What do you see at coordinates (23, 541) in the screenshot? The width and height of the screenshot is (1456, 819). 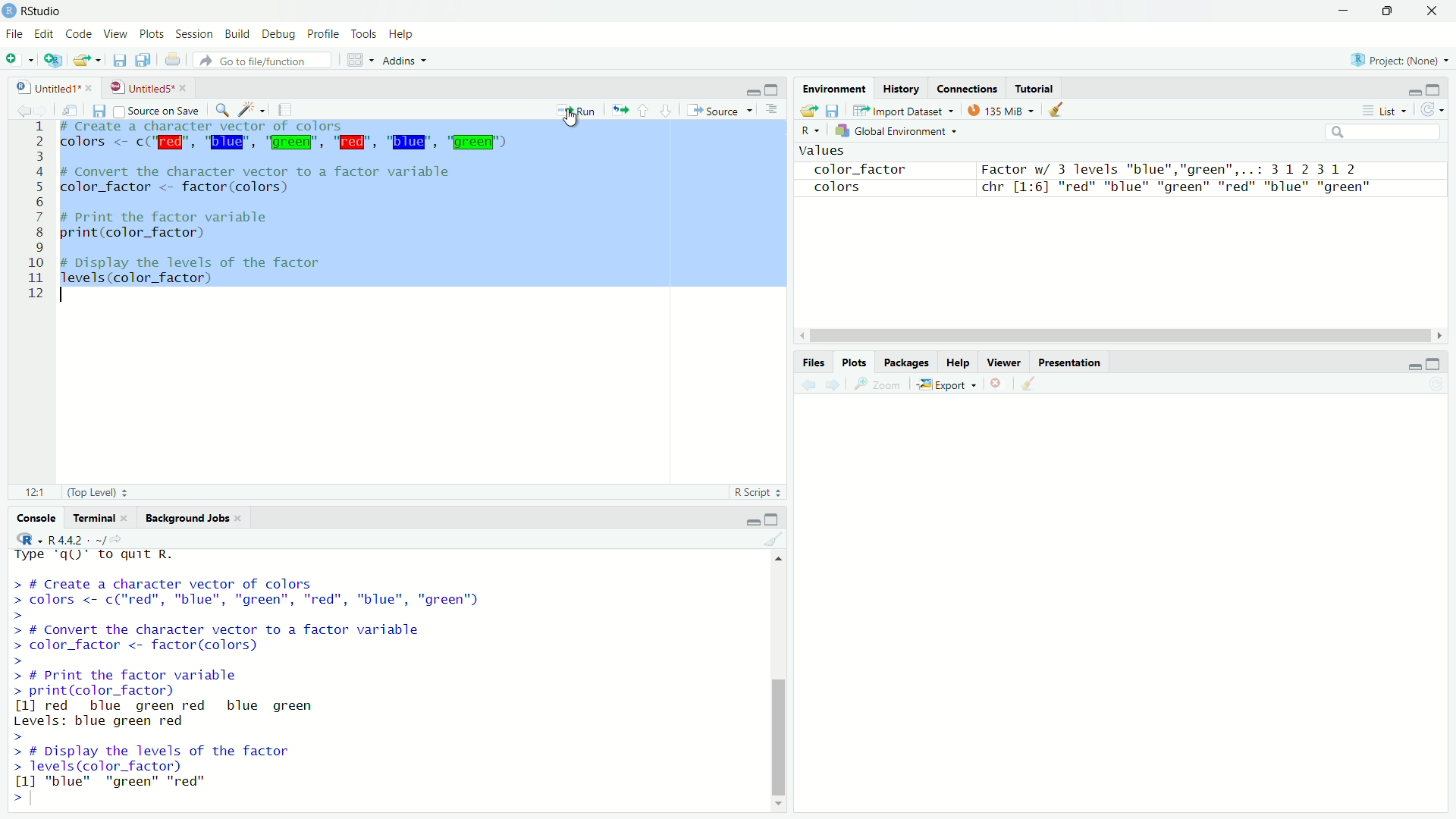 I see `select language` at bounding box center [23, 541].